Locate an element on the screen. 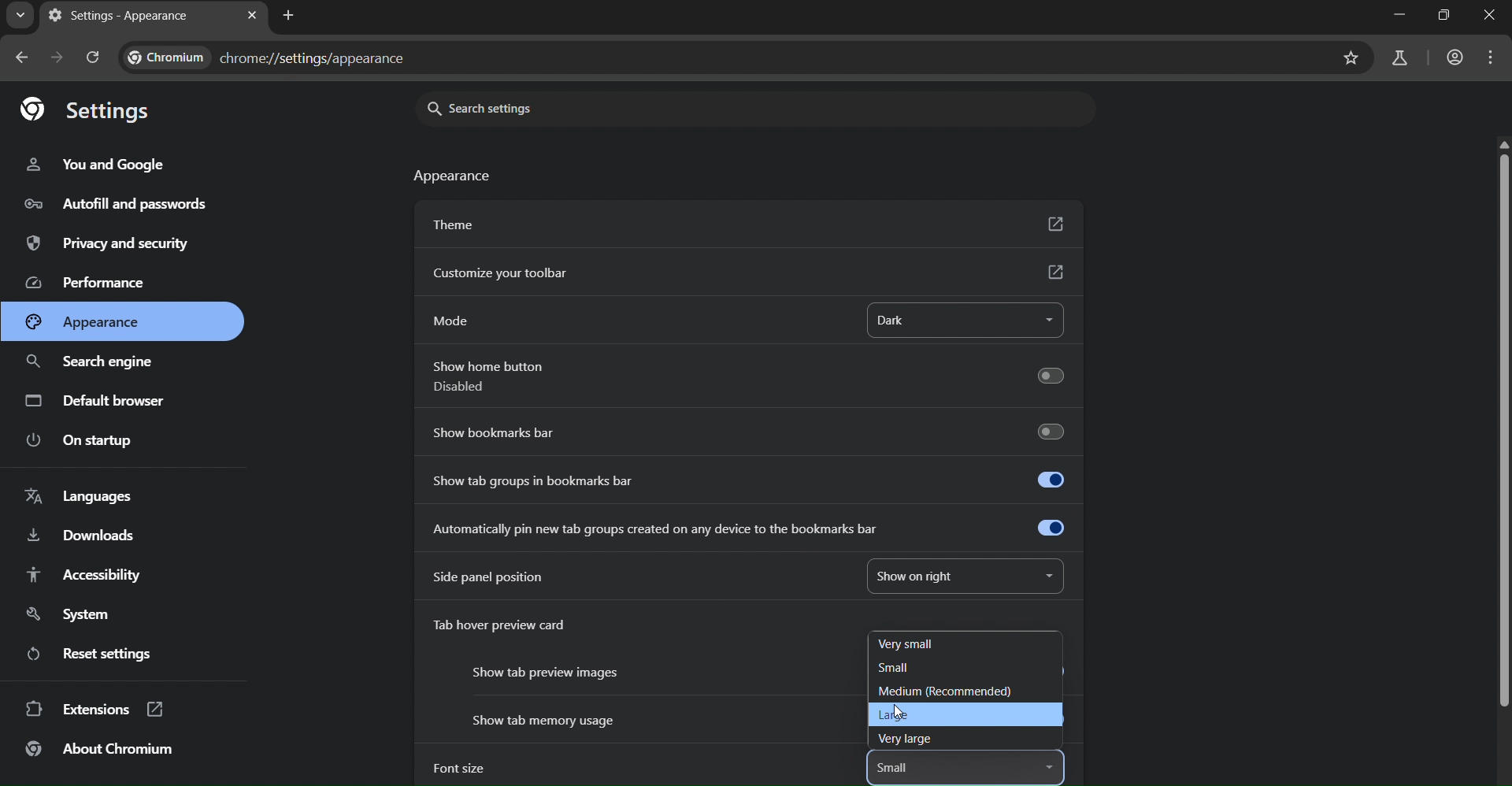 This screenshot has width=1512, height=786. close is located at coordinates (1492, 14).